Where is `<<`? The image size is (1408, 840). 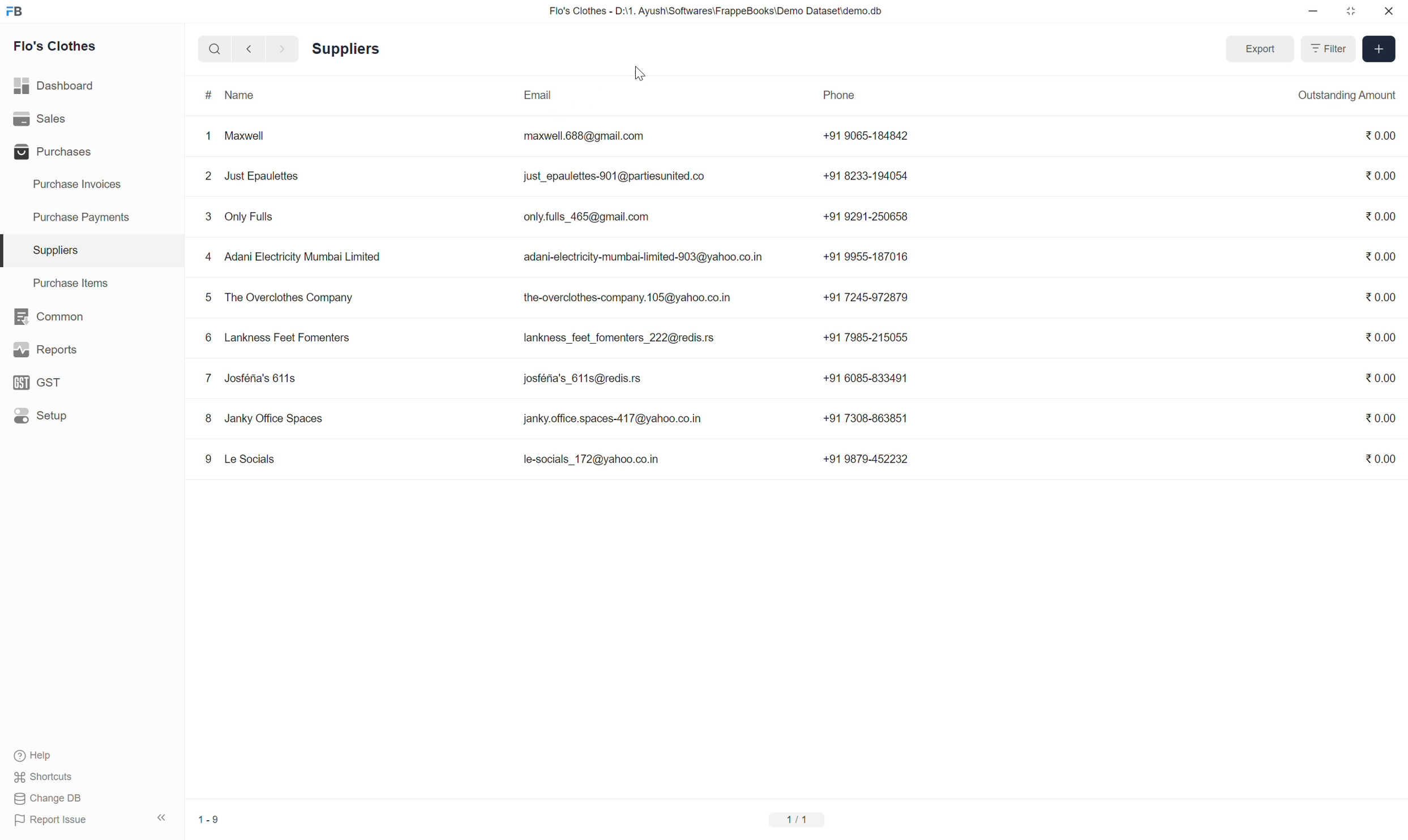 << is located at coordinates (161, 817).